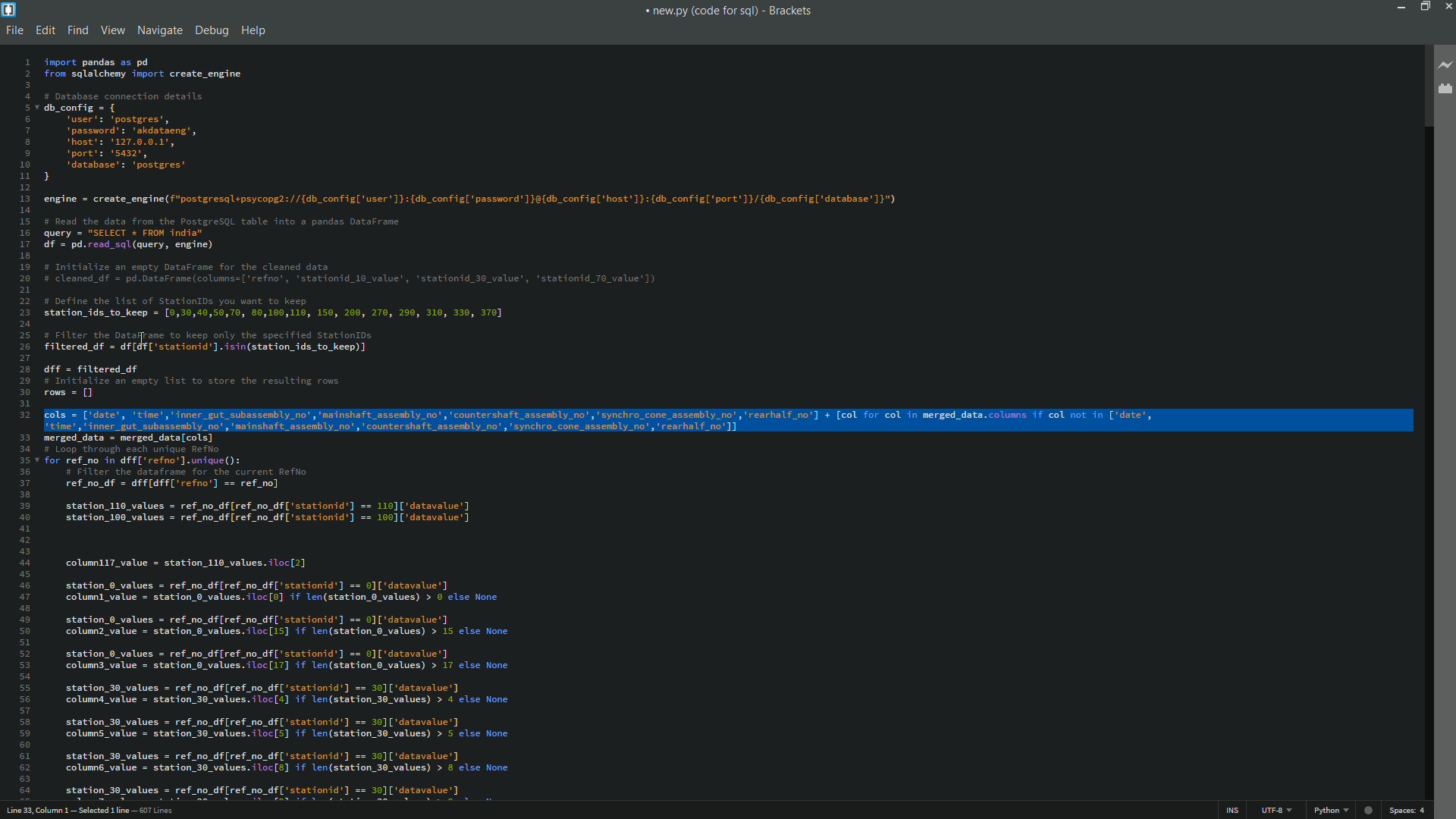  What do you see at coordinates (1398, 6) in the screenshot?
I see `minimize` at bounding box center [1398, 6].